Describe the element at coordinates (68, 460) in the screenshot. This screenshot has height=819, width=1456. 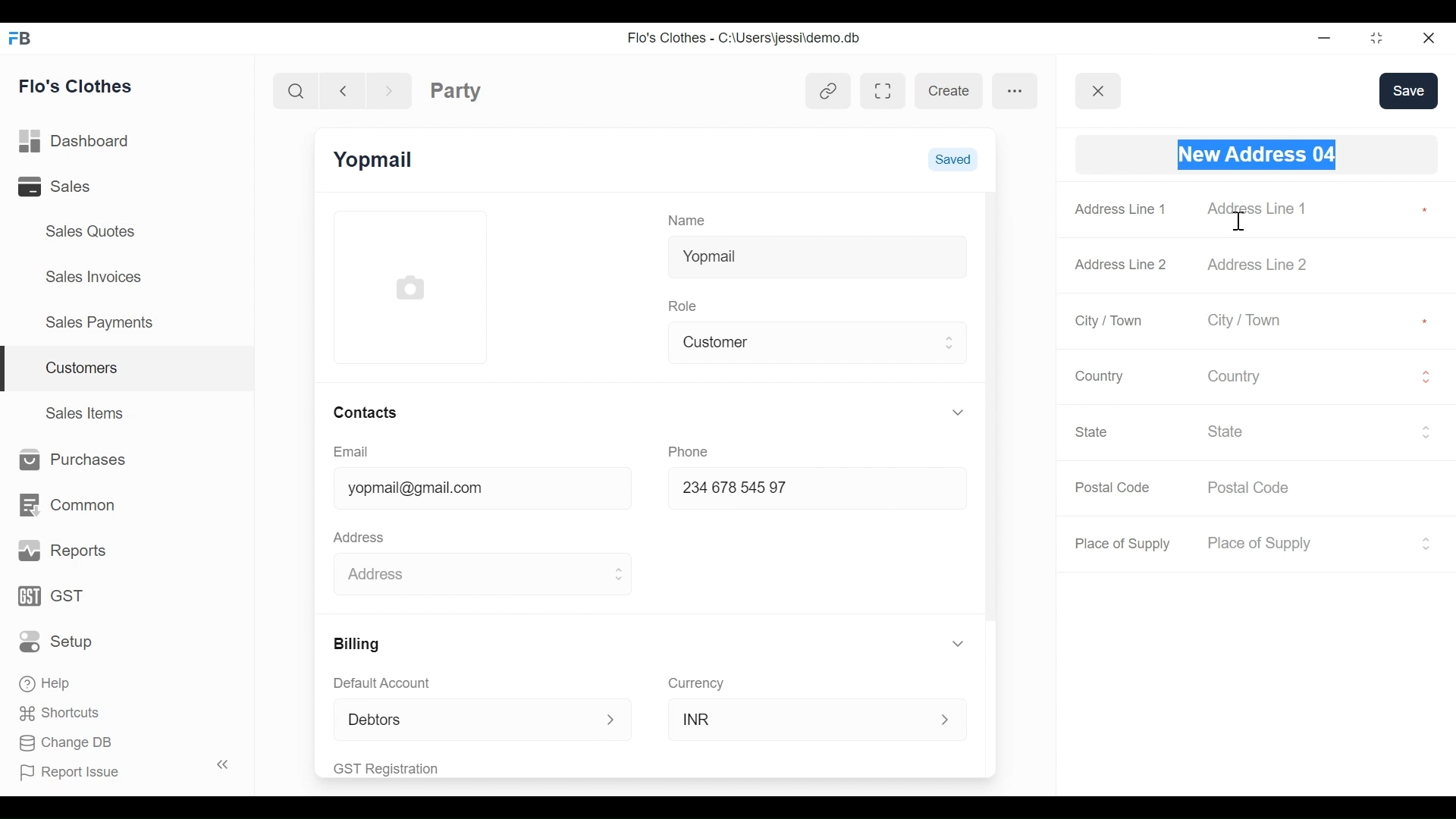
I see `Purchases` at that location.